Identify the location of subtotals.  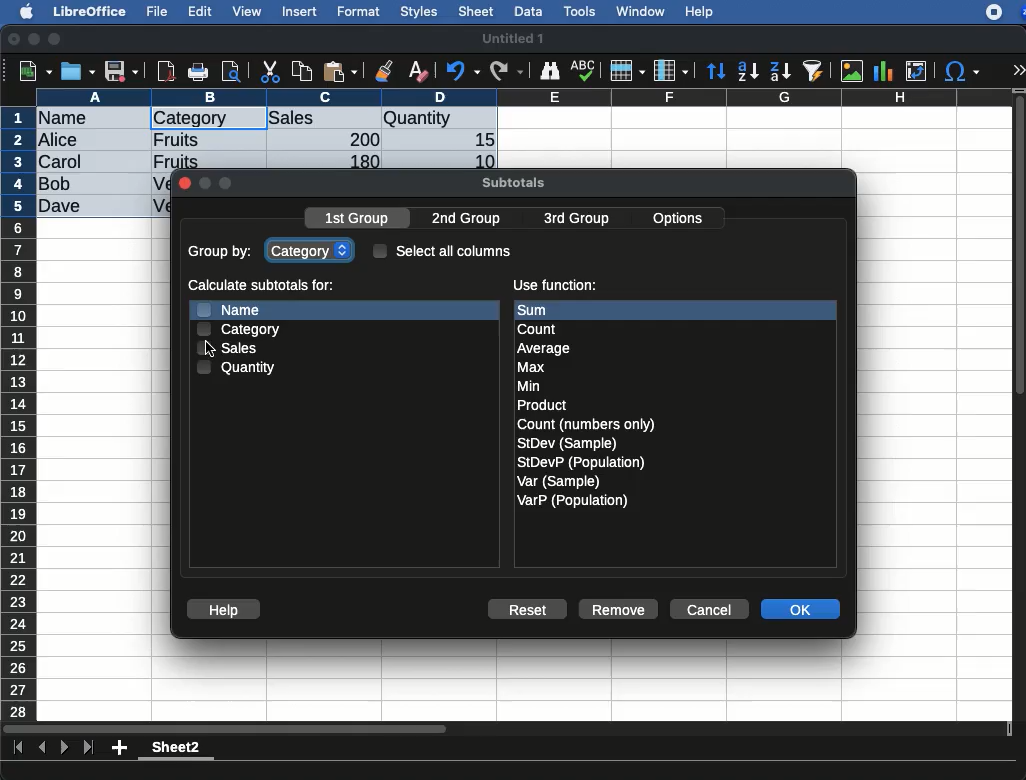
(513, 180).